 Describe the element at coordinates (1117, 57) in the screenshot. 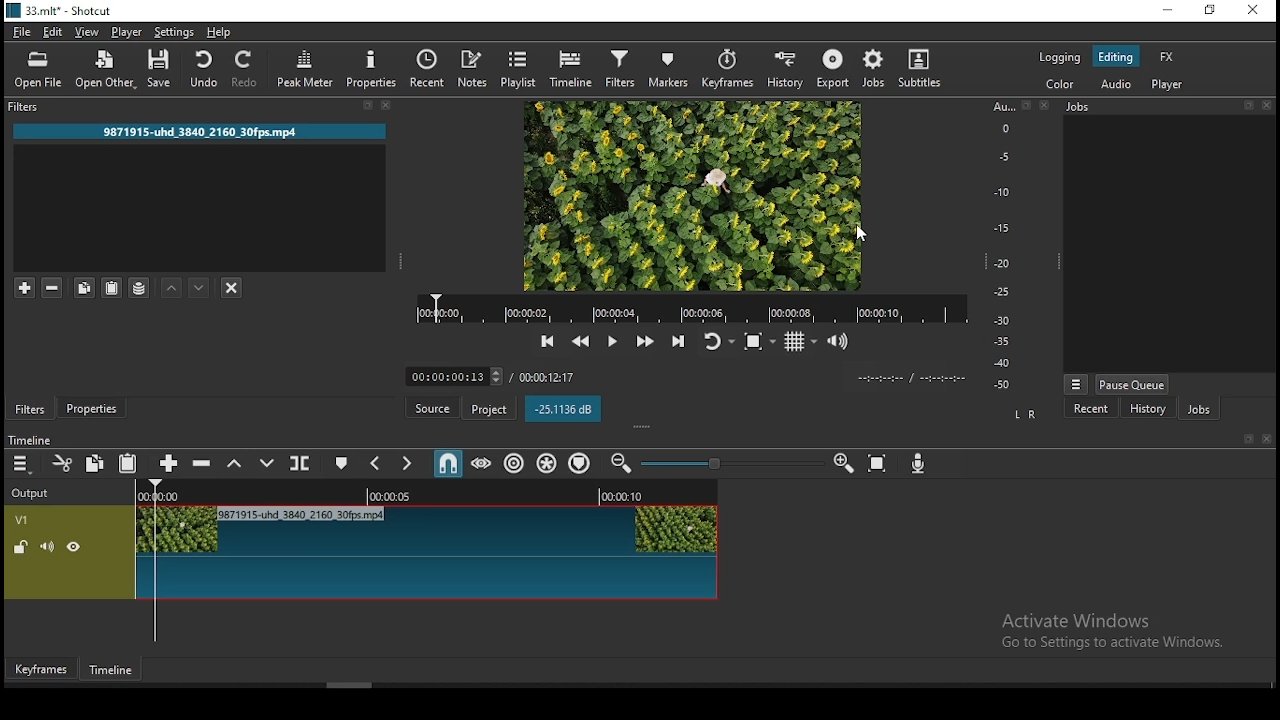

I see `editing` at that location.